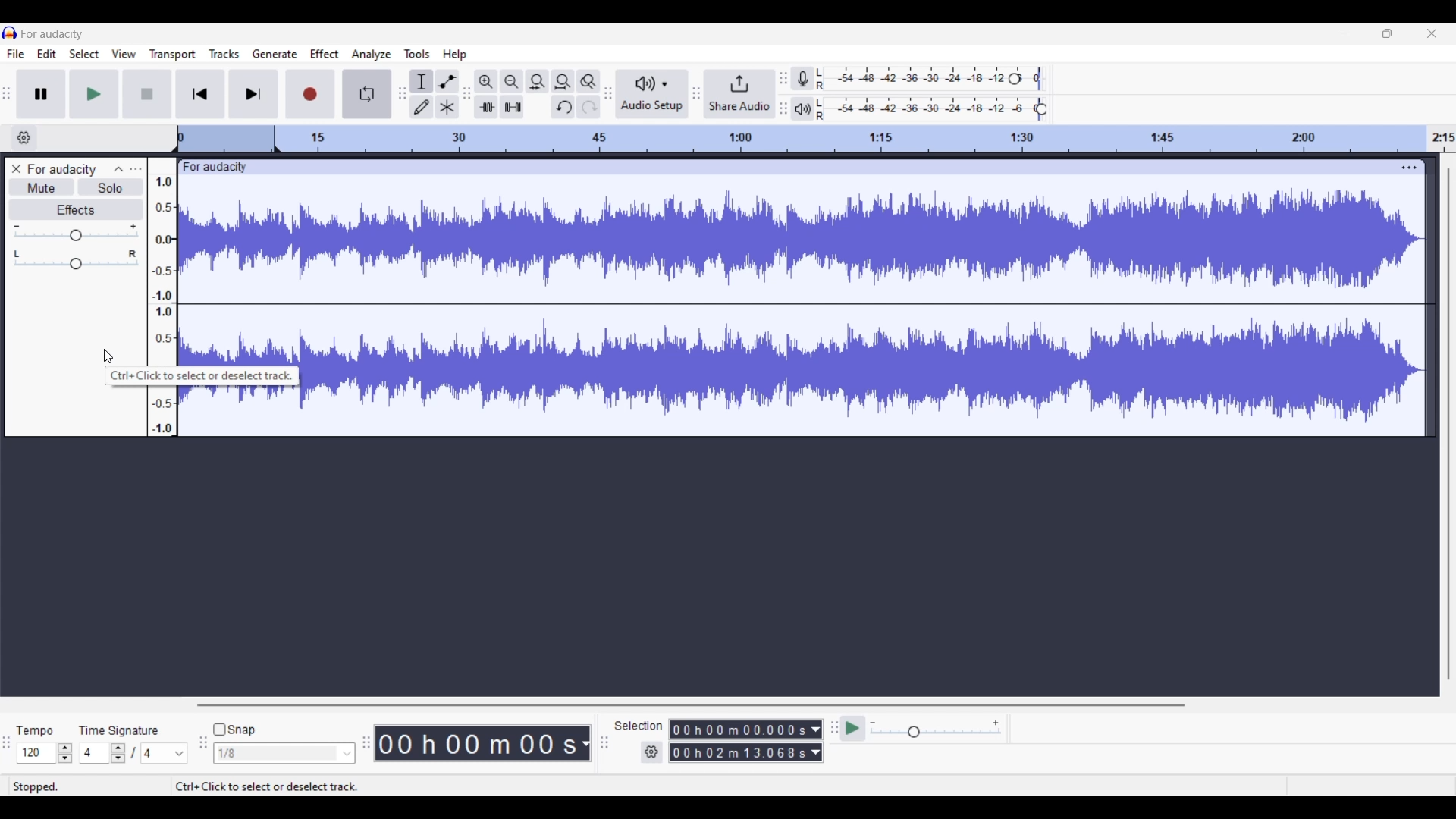 The image size is (1456, 819). What do you see at coordinates (119, 168) in the screenshot?
I see `Collapse` at bounding box center [119, 168].